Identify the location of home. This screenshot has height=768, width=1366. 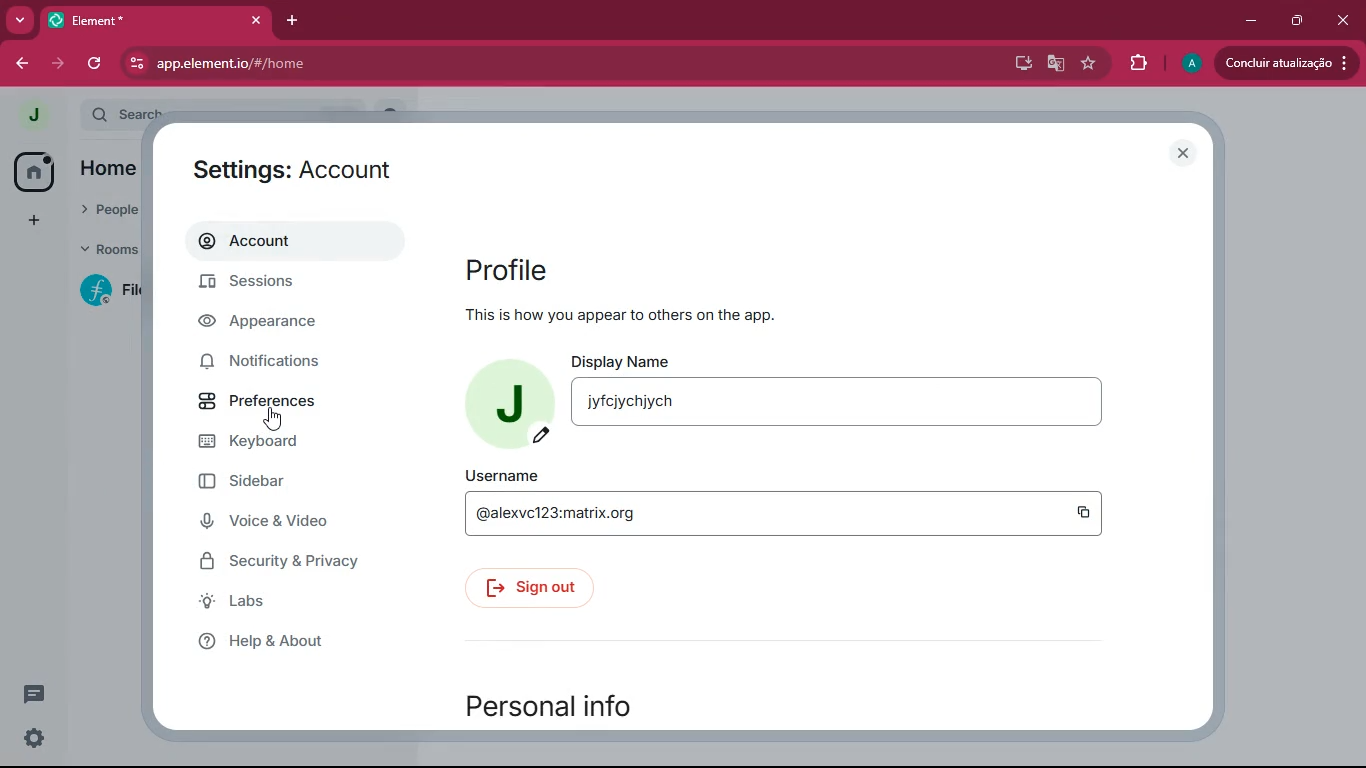
(103, 168).